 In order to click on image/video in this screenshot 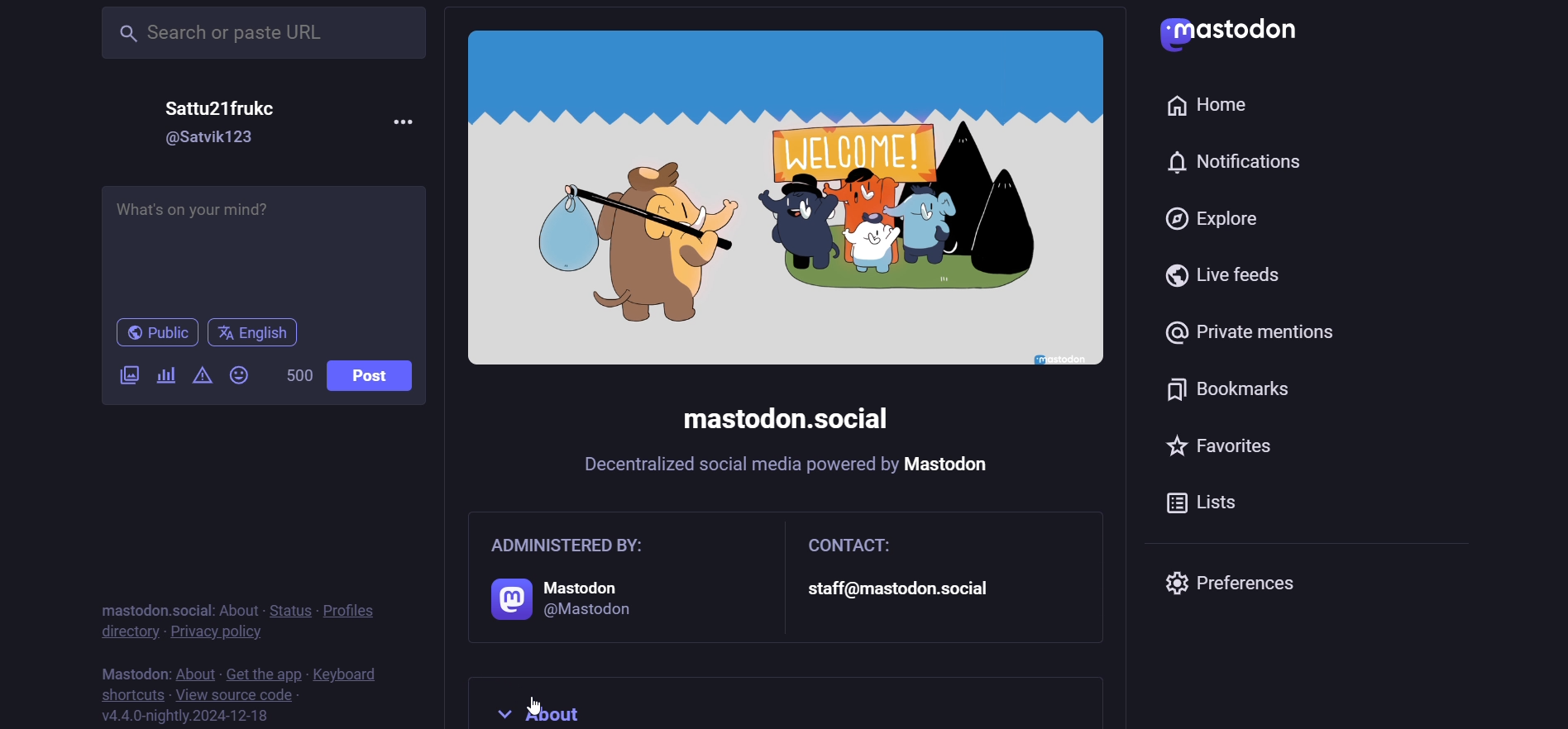, I will do `click(127, 374)`.